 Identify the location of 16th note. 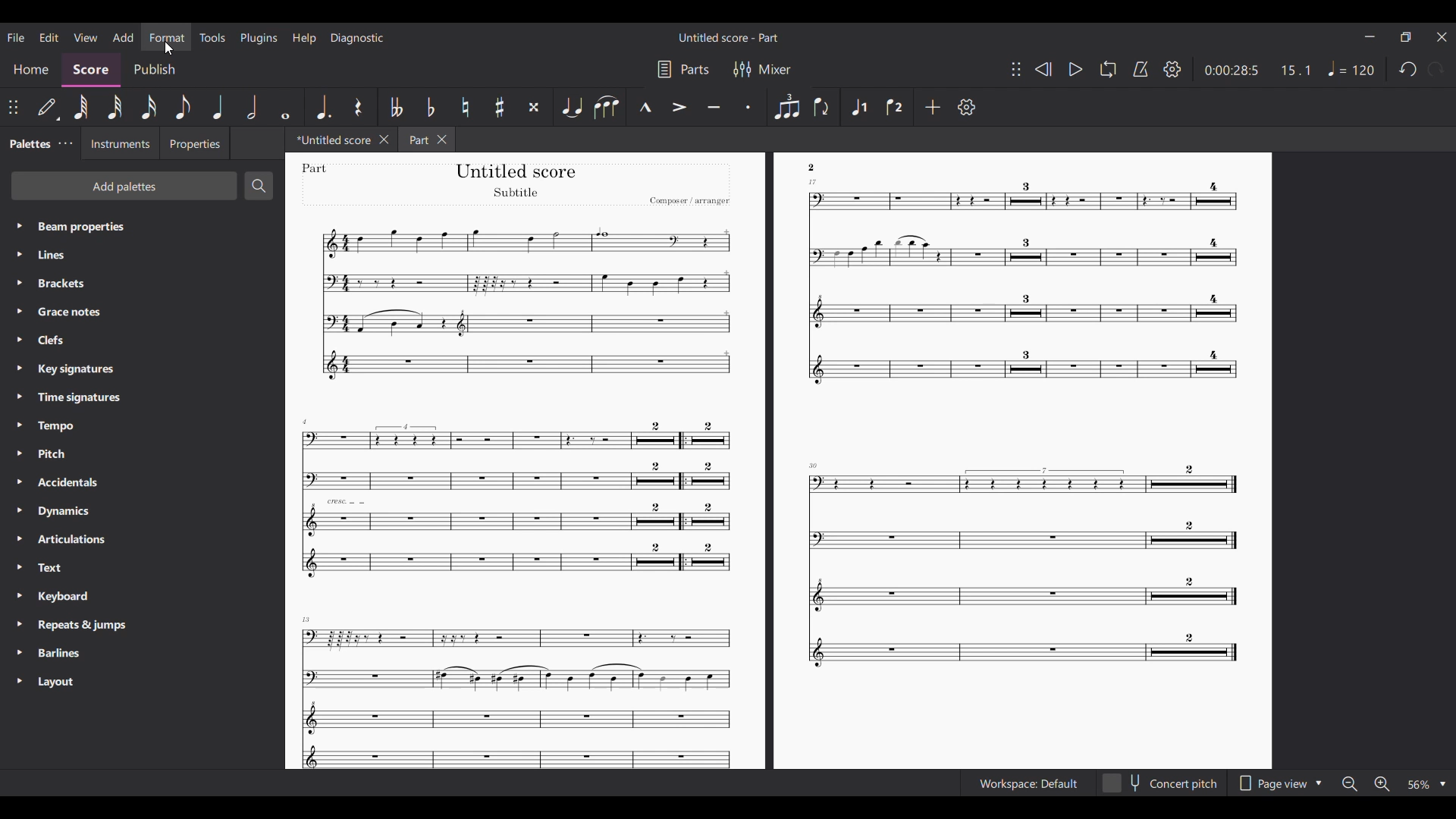
(149, 106).